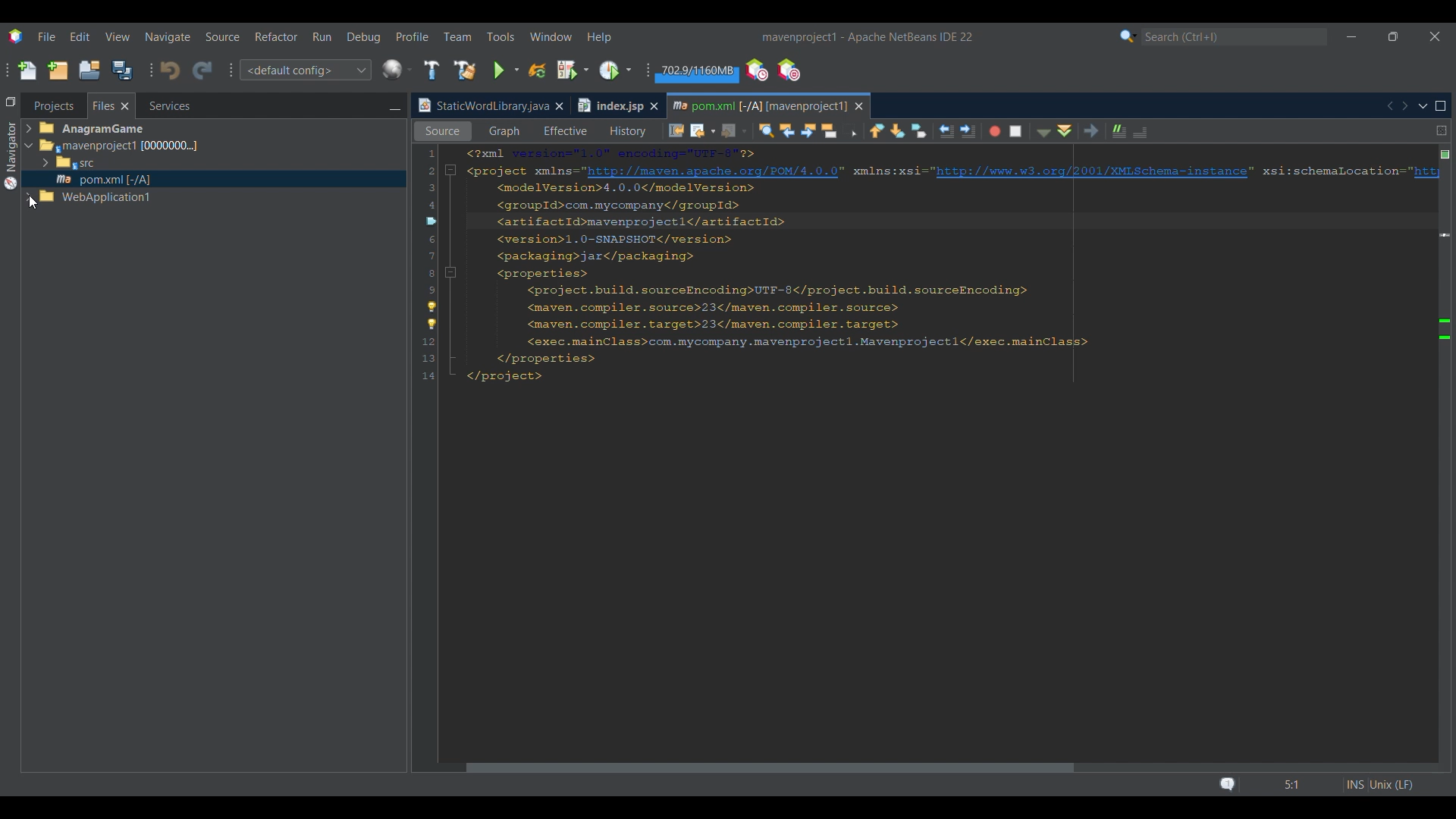 The width and height of the screenshot is (1456, 819). I want to click on Start macro recording, so click(993, 132).